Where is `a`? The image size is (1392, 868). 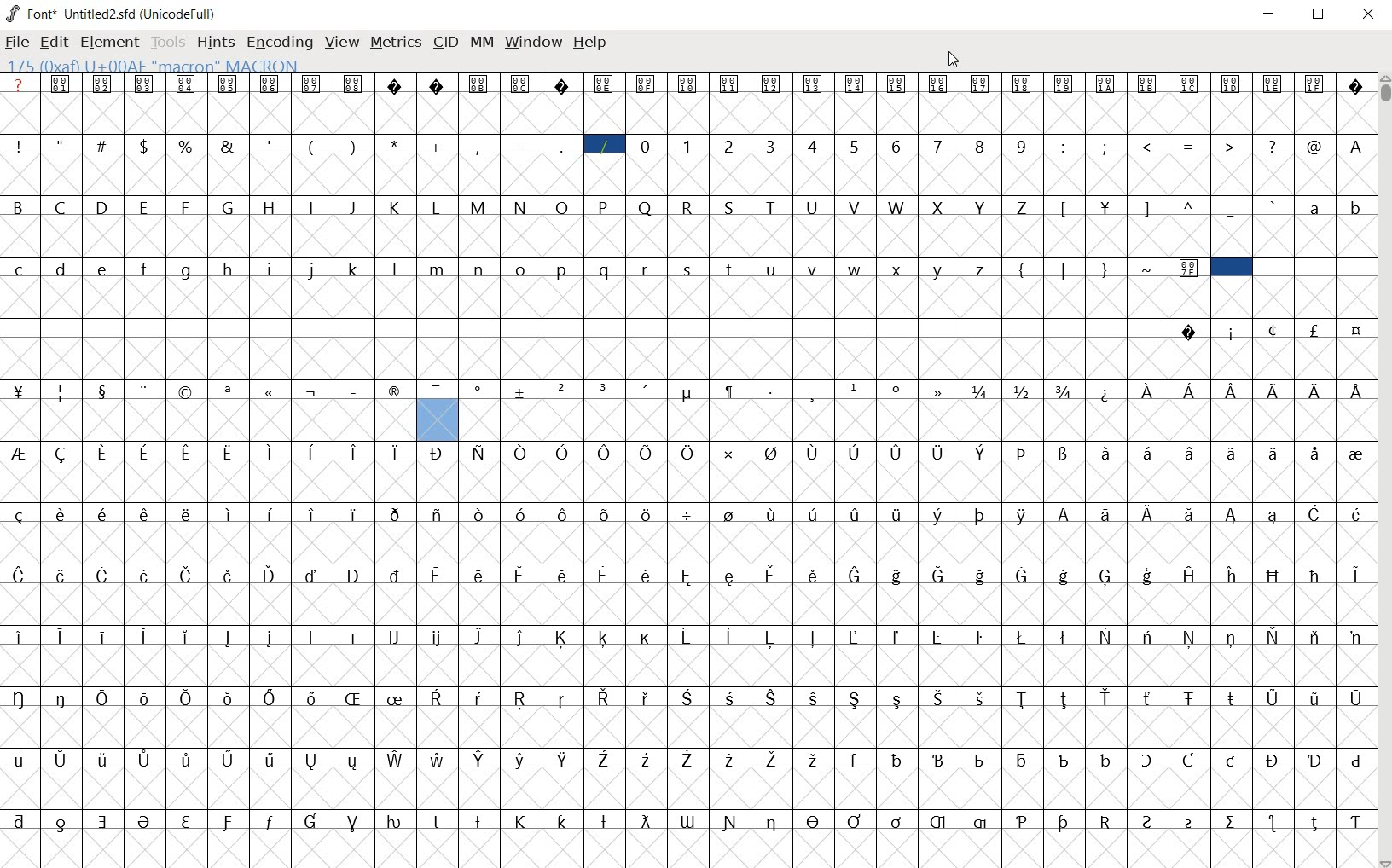 a is located at coordinates (1315, 209).